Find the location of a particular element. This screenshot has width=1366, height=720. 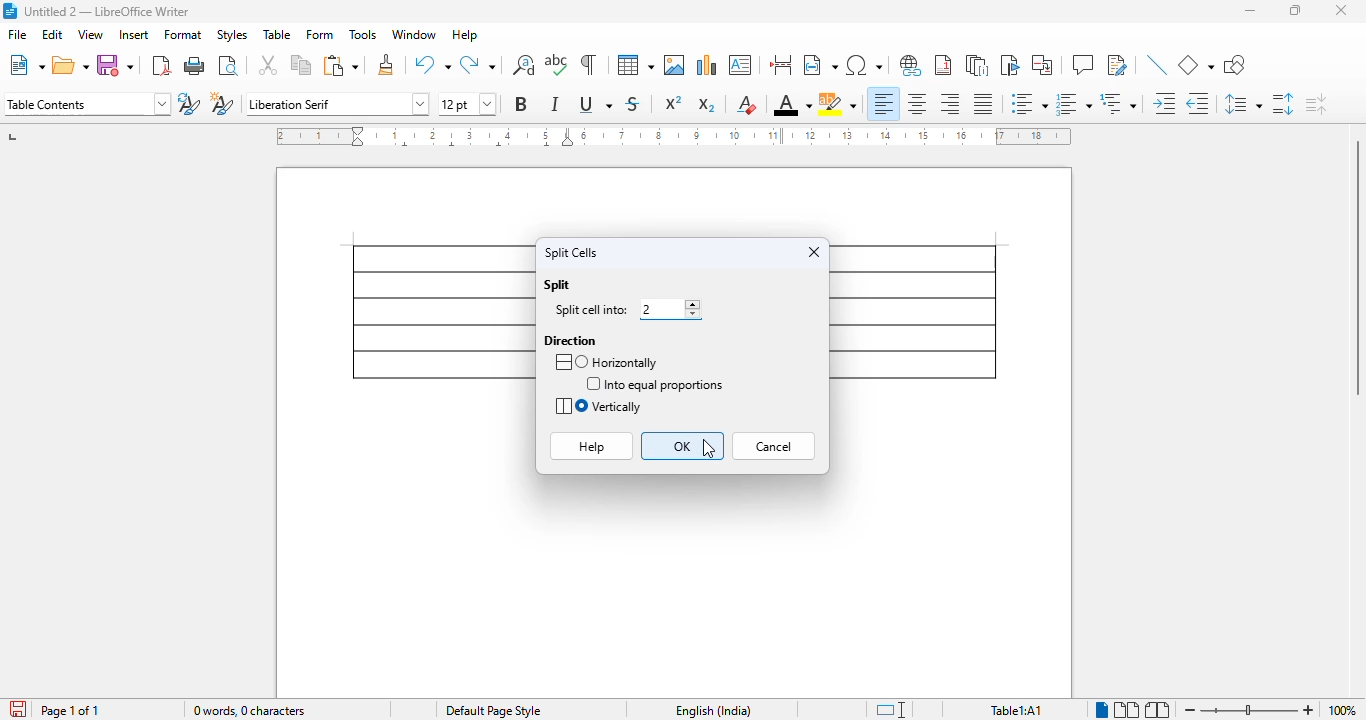

increase paragraph spacing is located at coordinates (1282, 104).